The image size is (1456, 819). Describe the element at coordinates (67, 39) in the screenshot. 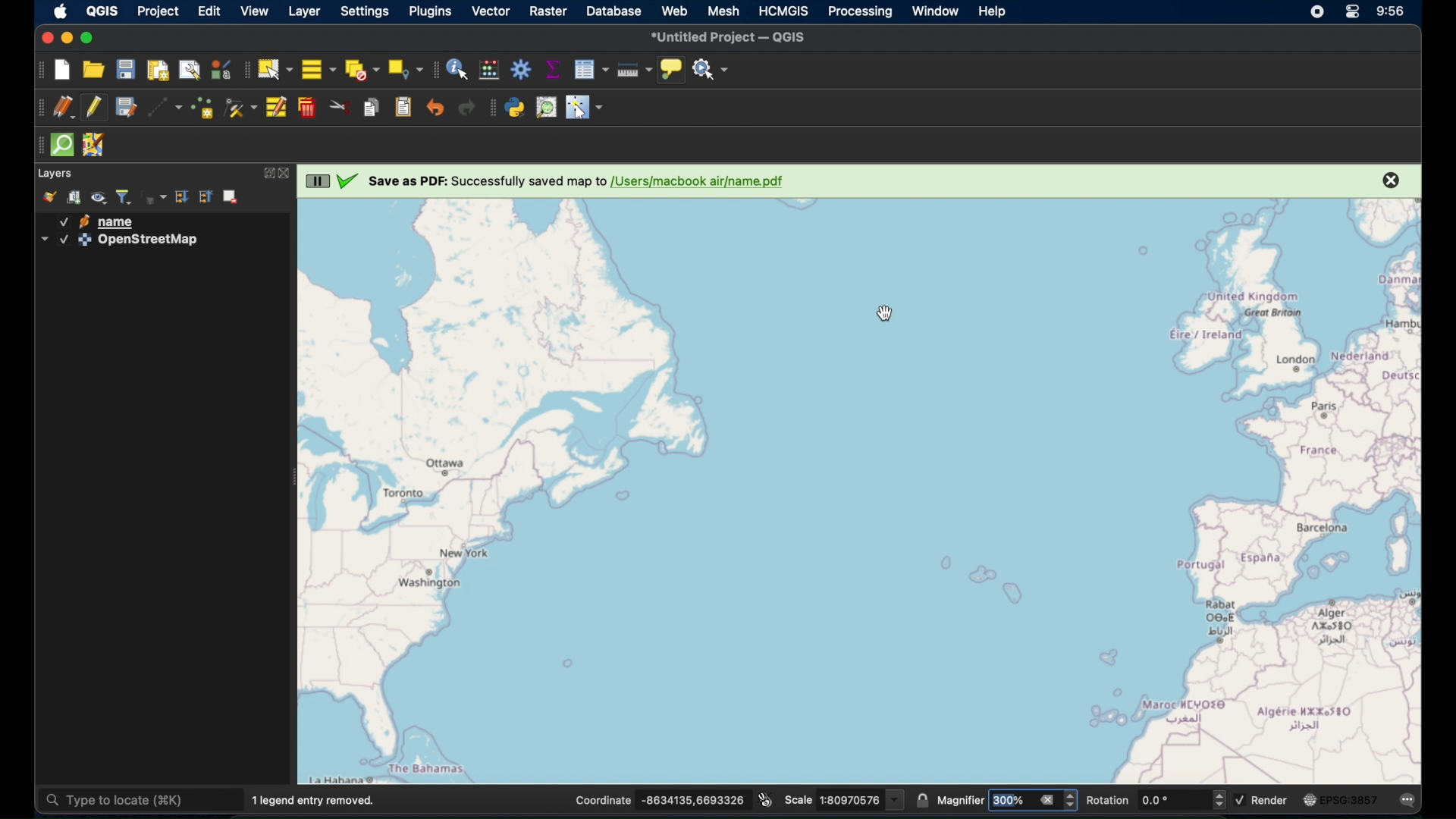

I see `minimize` at that location.